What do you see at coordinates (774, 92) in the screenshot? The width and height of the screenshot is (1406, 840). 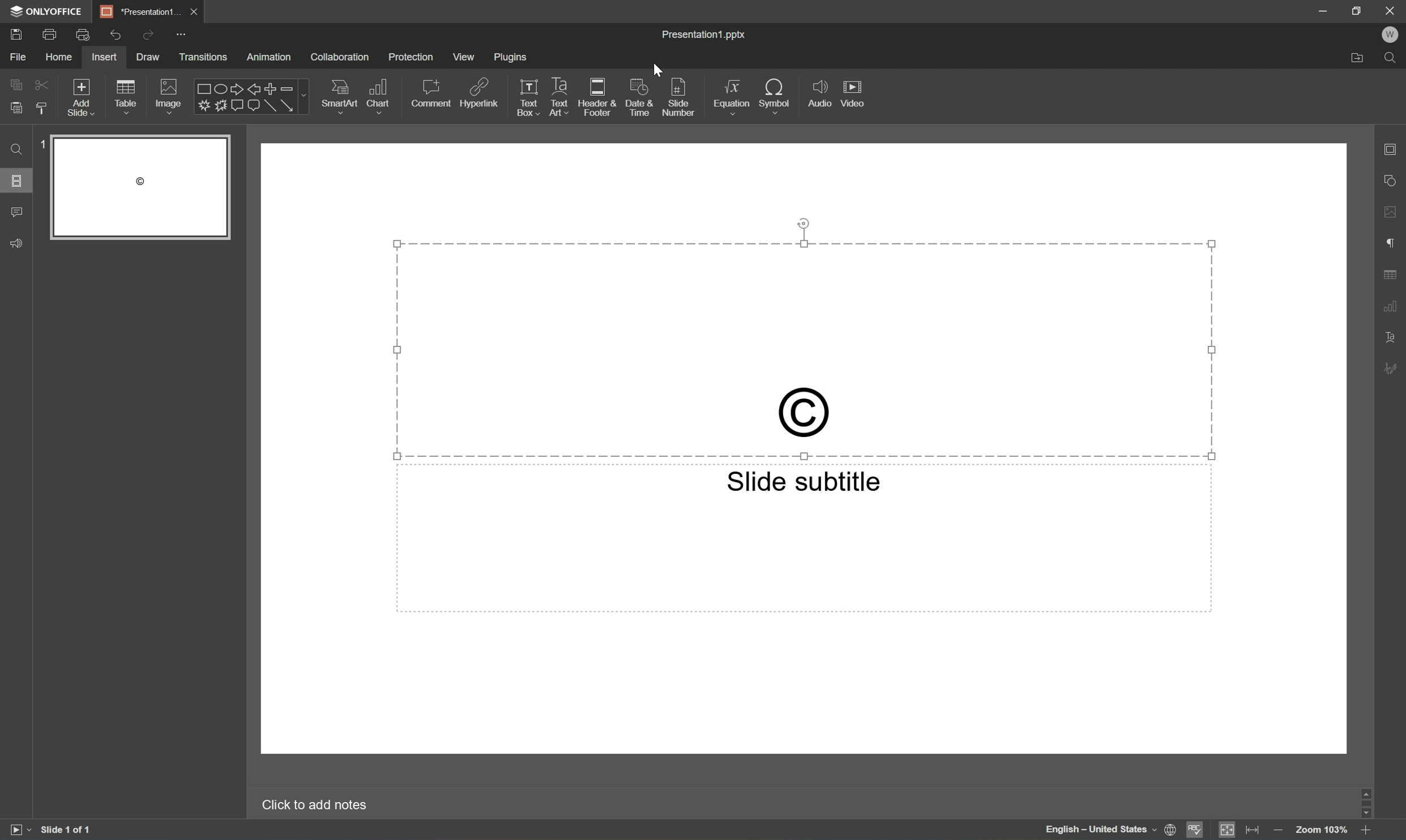 I see `Symbol` at bounding box center [774, 92].